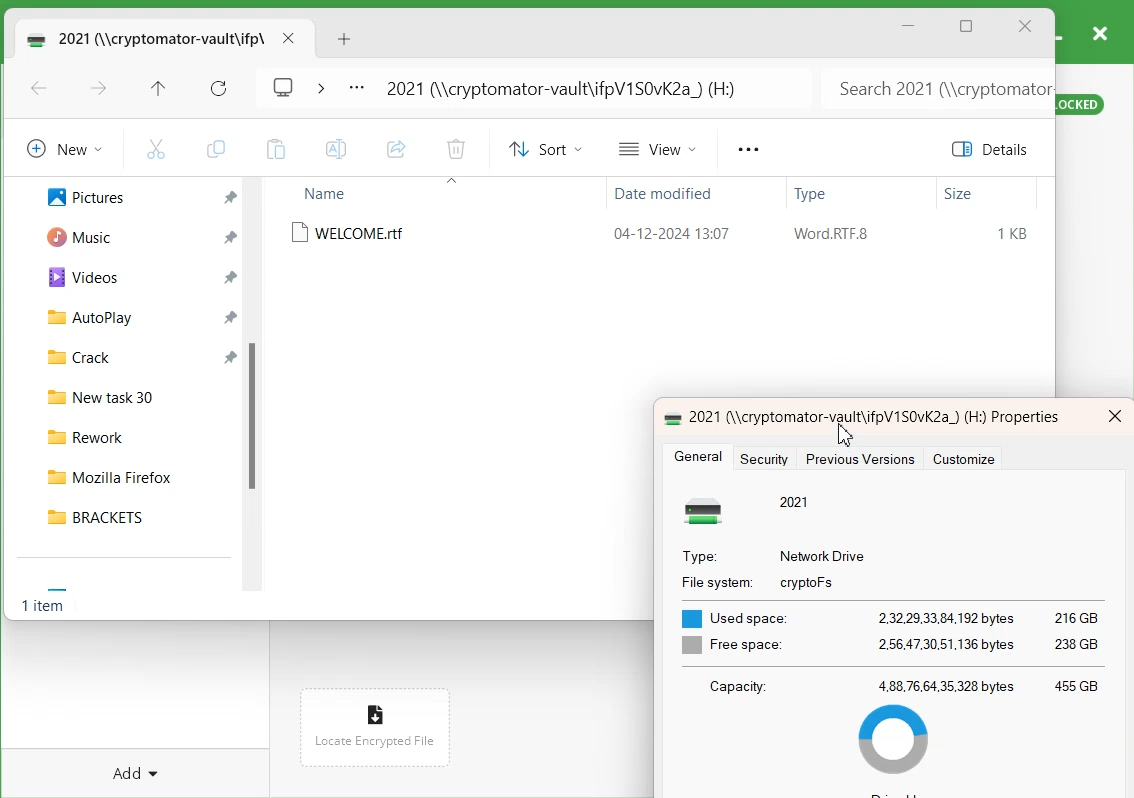  I want to click on General, so click(700, 457).